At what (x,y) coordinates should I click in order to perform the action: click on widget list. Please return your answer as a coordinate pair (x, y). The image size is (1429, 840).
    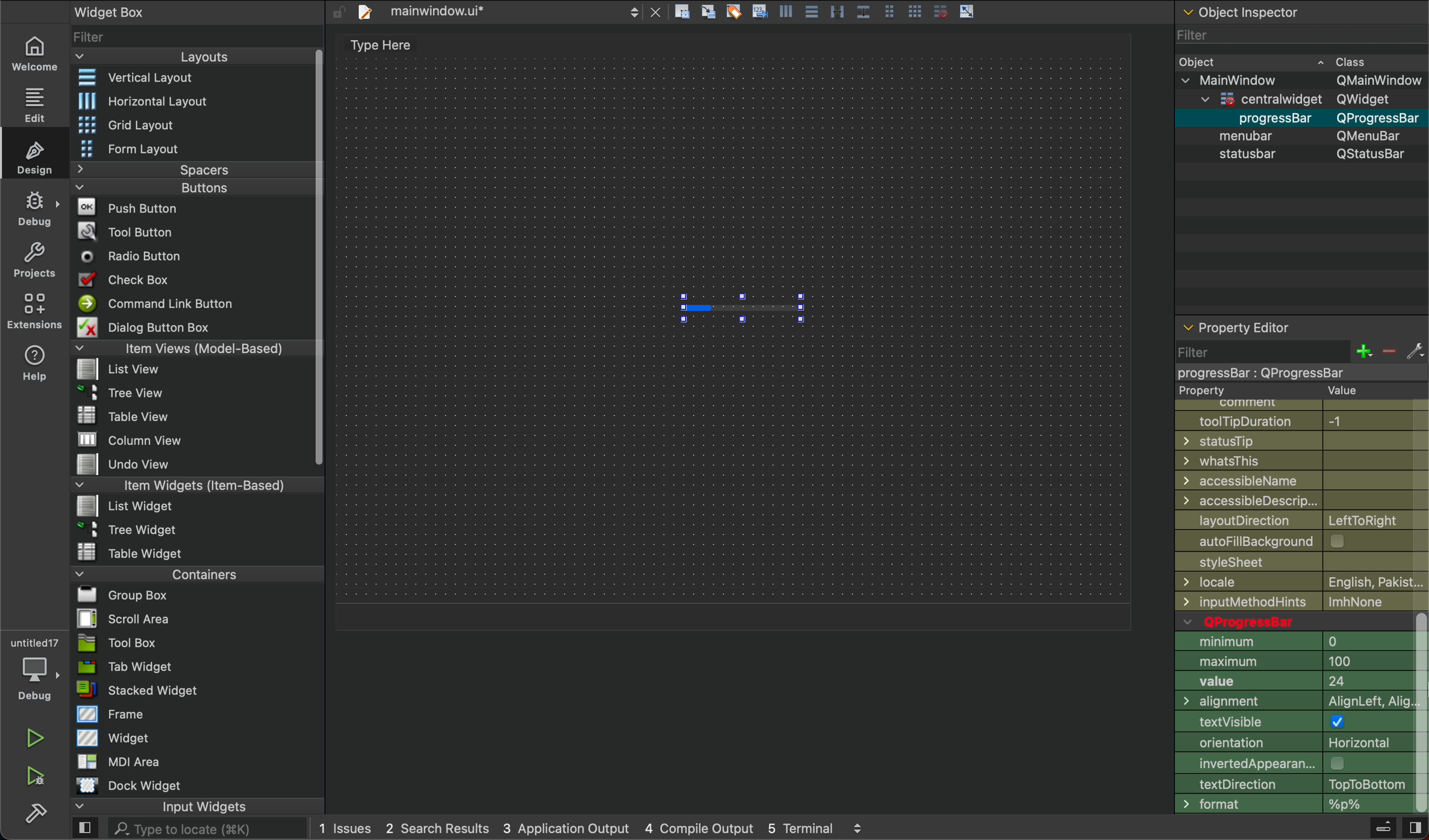
    Looking at the image, I should click on (191, 35).